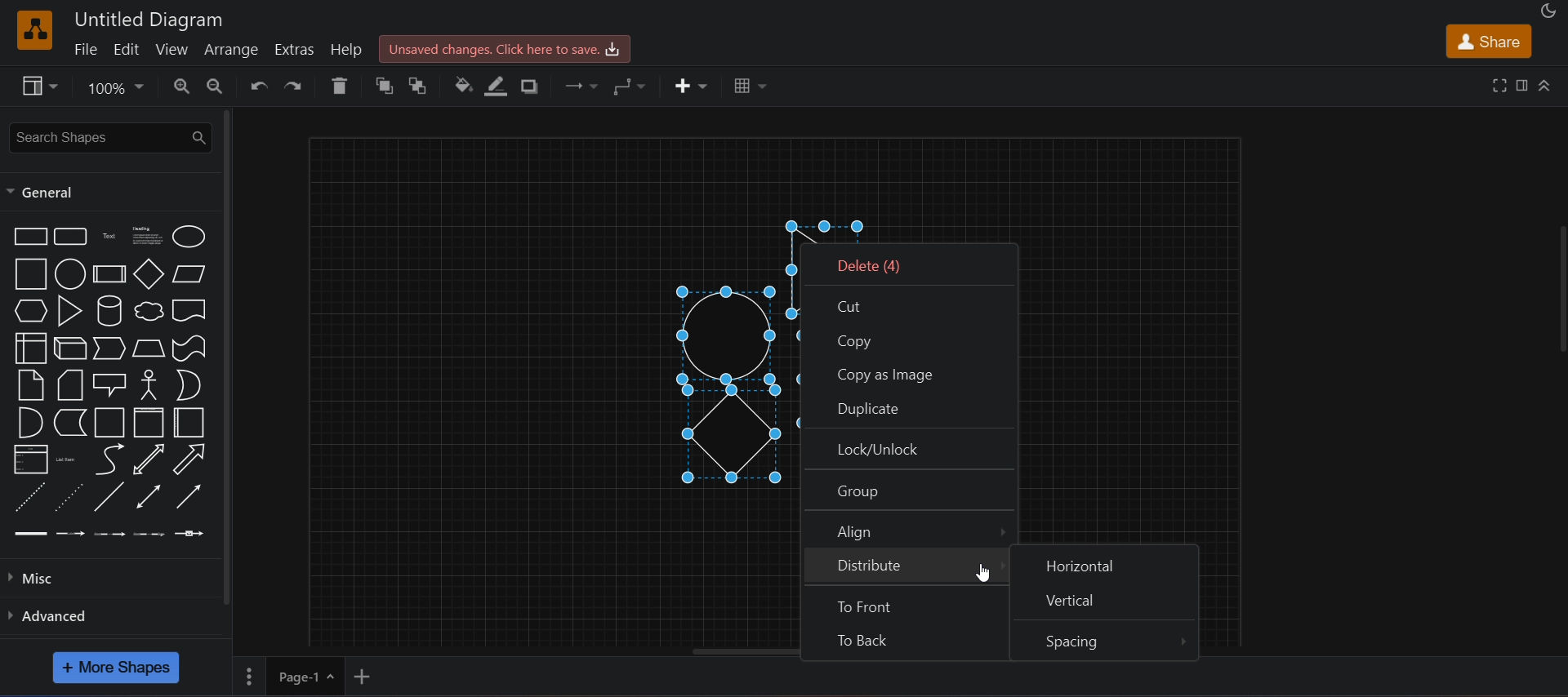  I want to click on card, so click(68, 385).